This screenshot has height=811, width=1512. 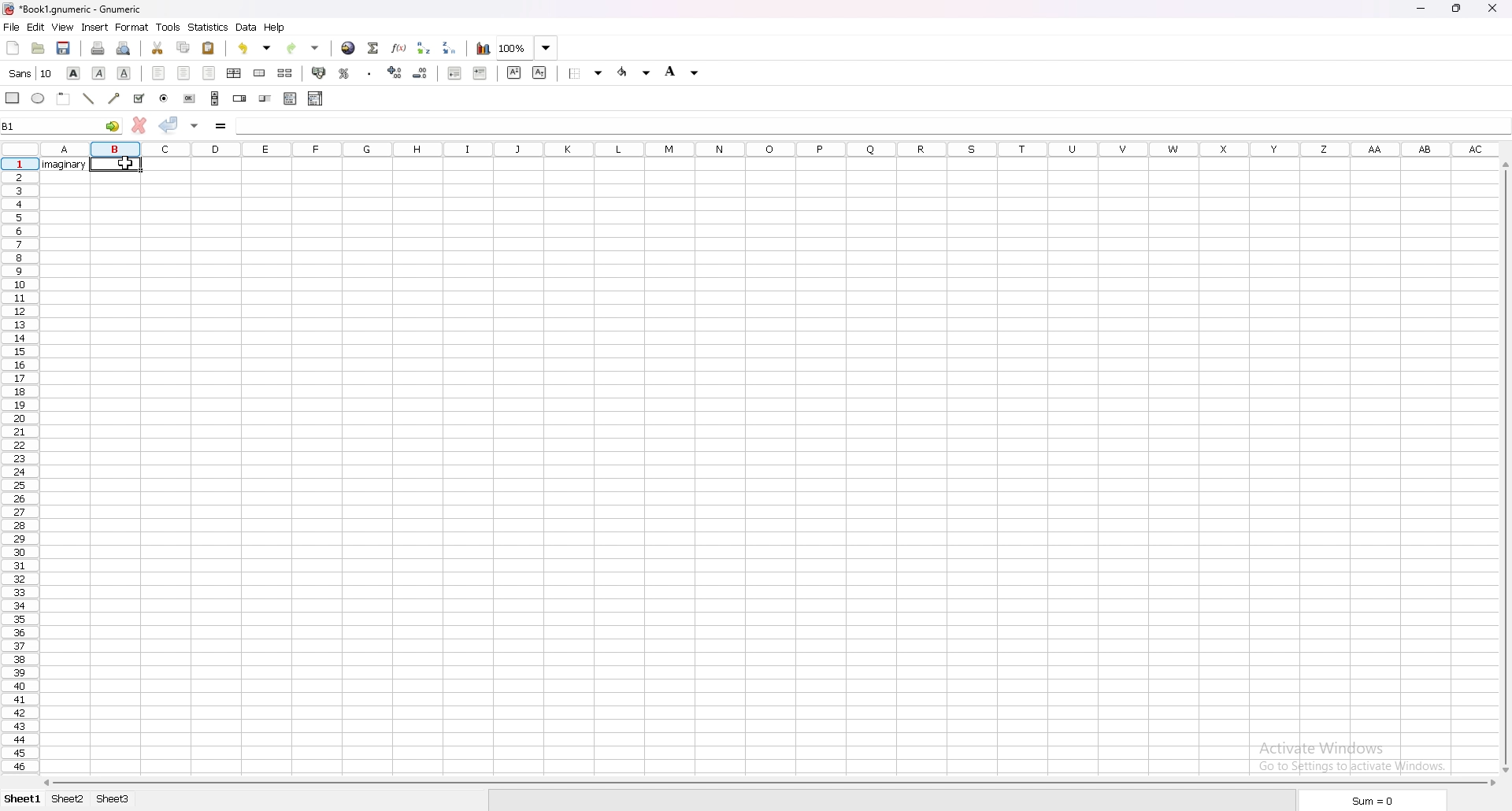 What do you see at coordinates (239, 98) in the screenshot?
I see `spin button` at bounding box center [239, 98].